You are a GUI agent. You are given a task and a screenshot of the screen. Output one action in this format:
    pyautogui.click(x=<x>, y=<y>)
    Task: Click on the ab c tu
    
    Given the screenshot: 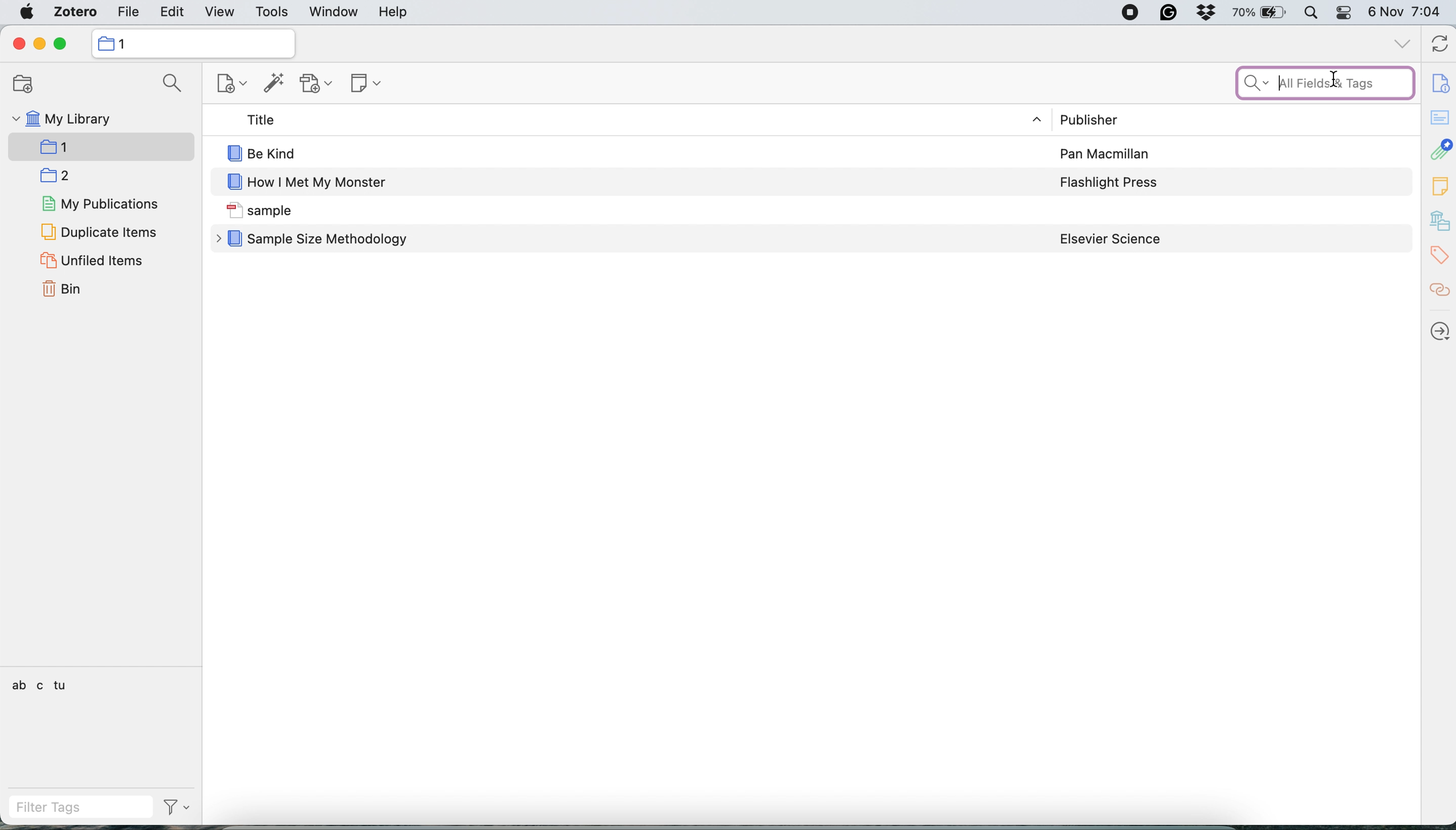 What is the action you would take?
    pyautogui.click(x=40, y=685)
    